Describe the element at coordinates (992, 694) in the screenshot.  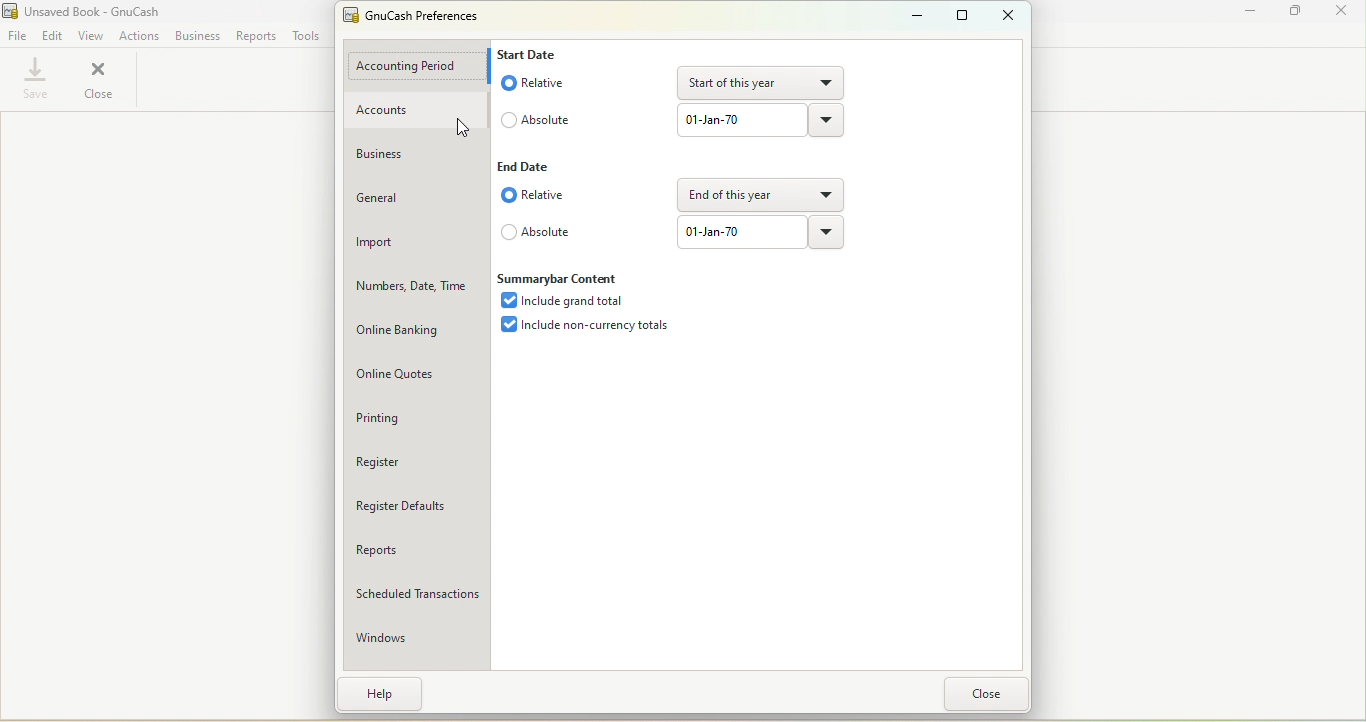
I see `Close` at that location.